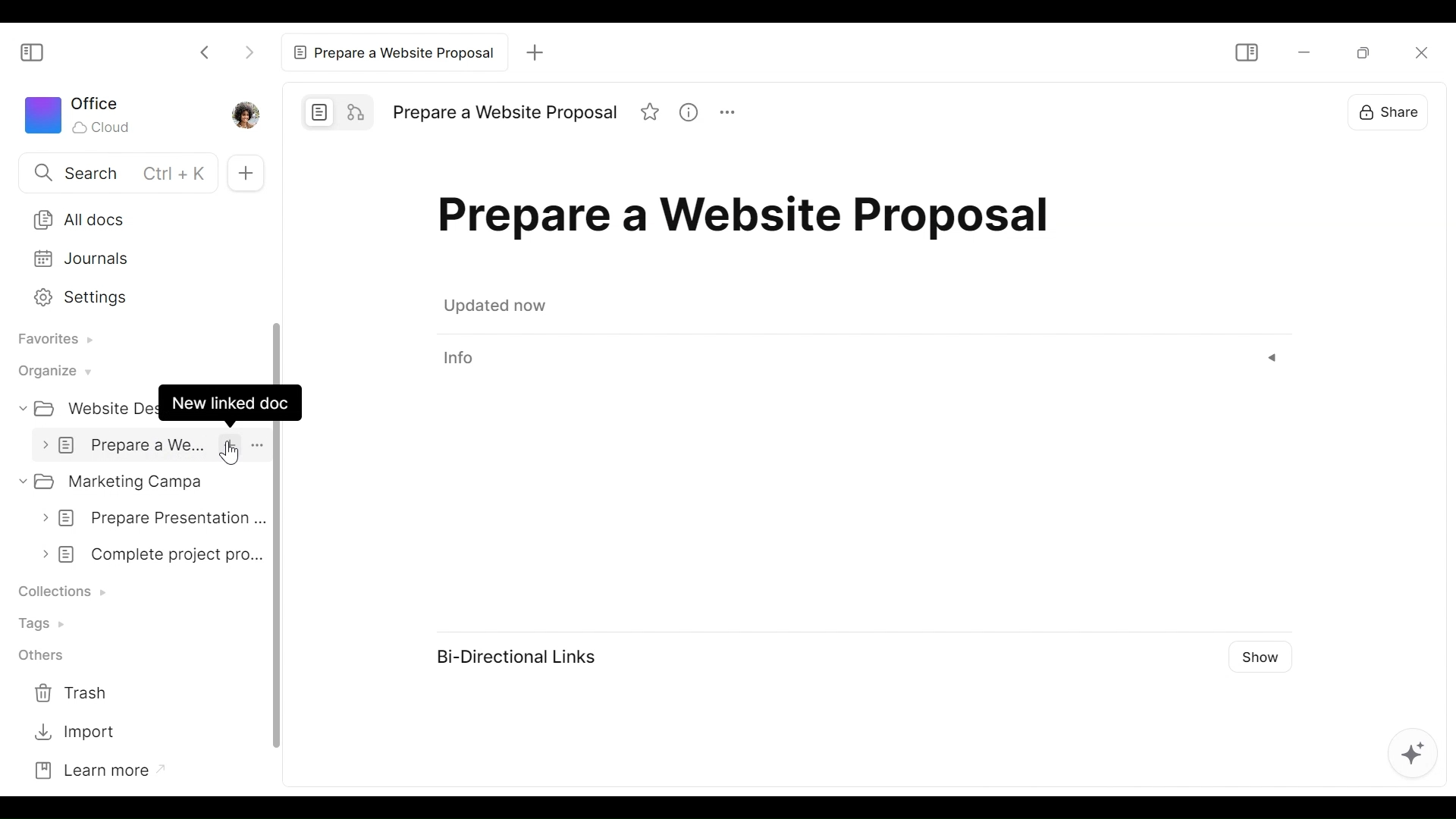 Image resolution: width=1456 pixels, height=819 pixels. What do you see at coordinates (535, 55) in the screenshot?
I see `Add new tab` at bounding box center [535, 55].